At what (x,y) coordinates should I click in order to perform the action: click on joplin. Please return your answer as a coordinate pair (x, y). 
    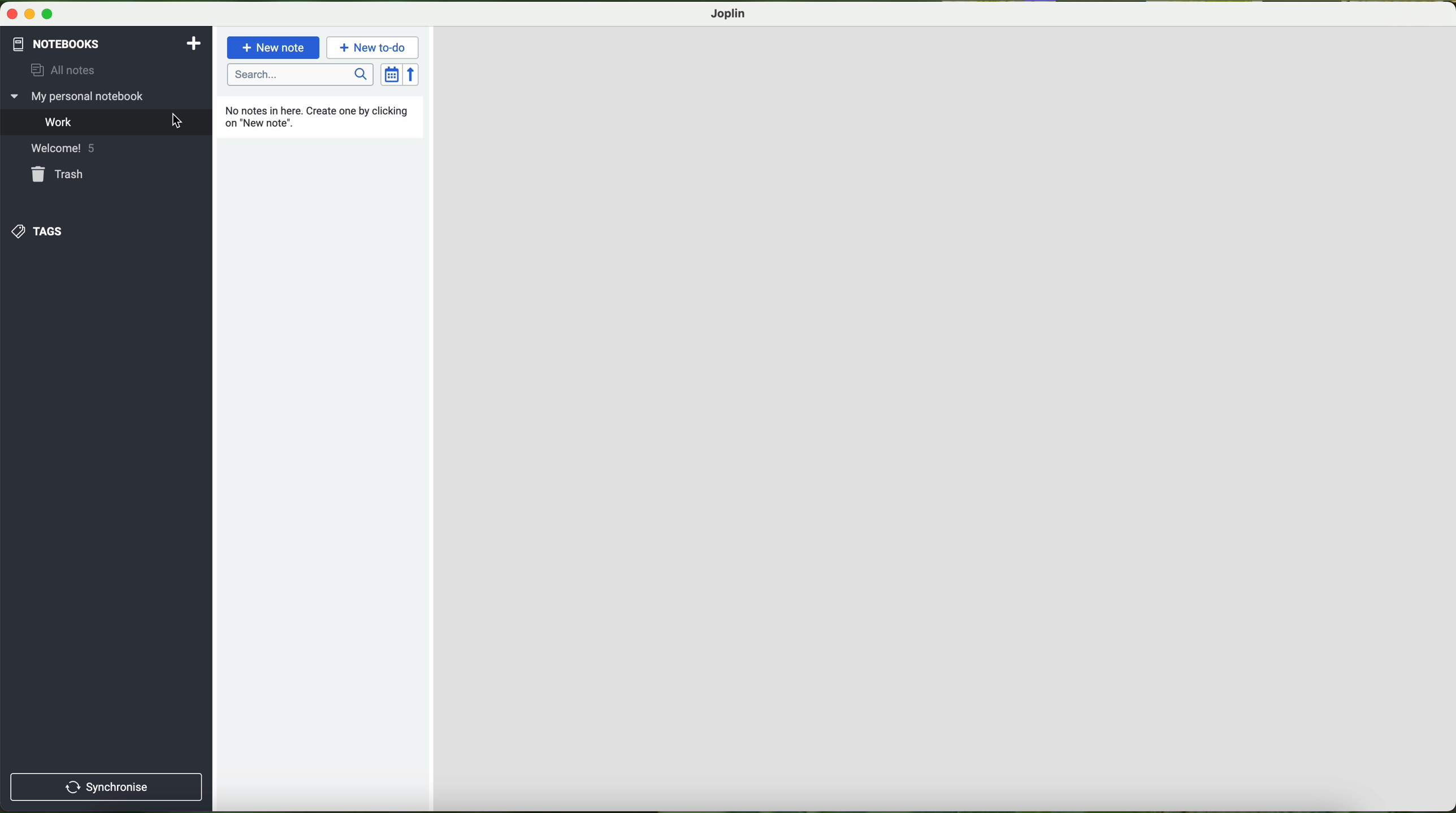
    Looking at the image, I should click on (729, 14).